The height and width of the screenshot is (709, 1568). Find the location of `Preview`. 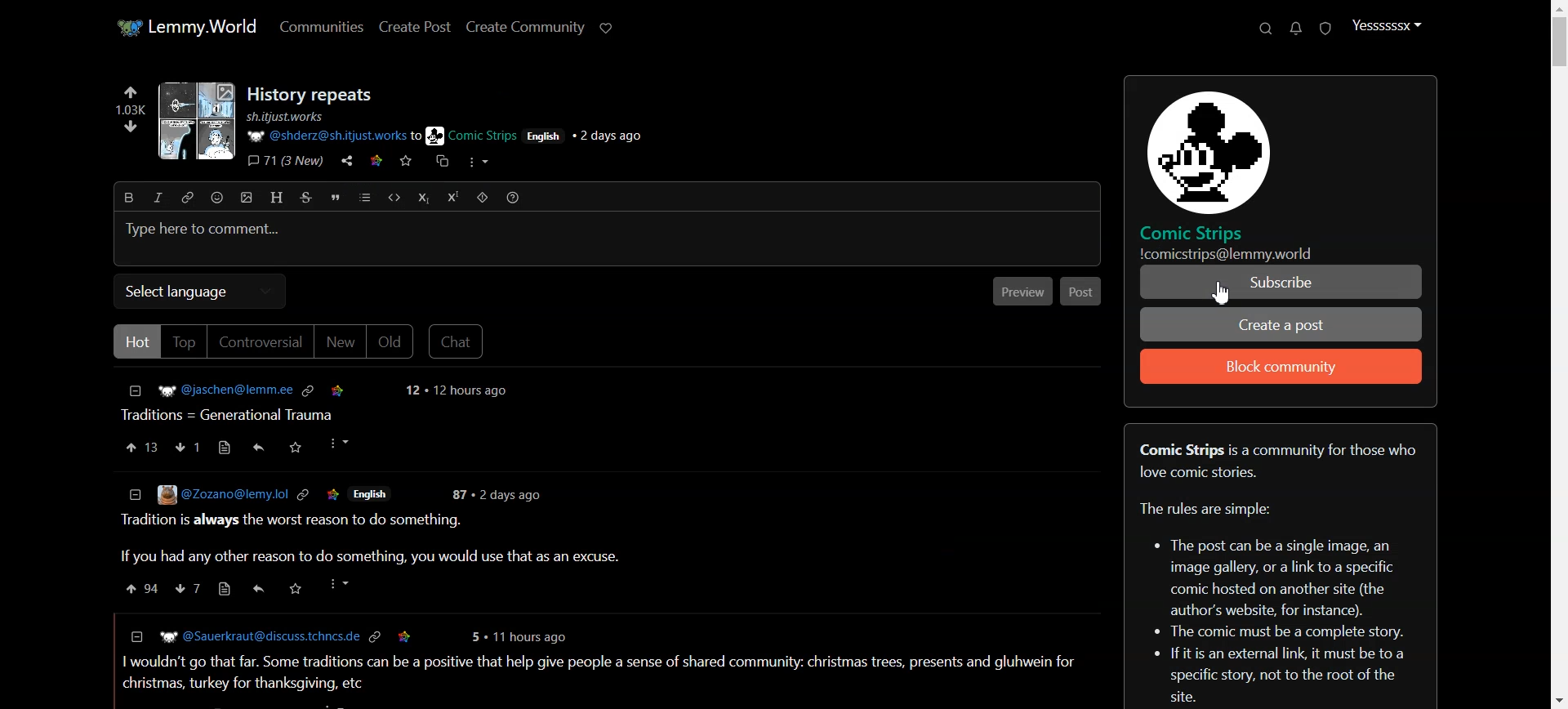

Preview is located at coordinates (1022, 290).